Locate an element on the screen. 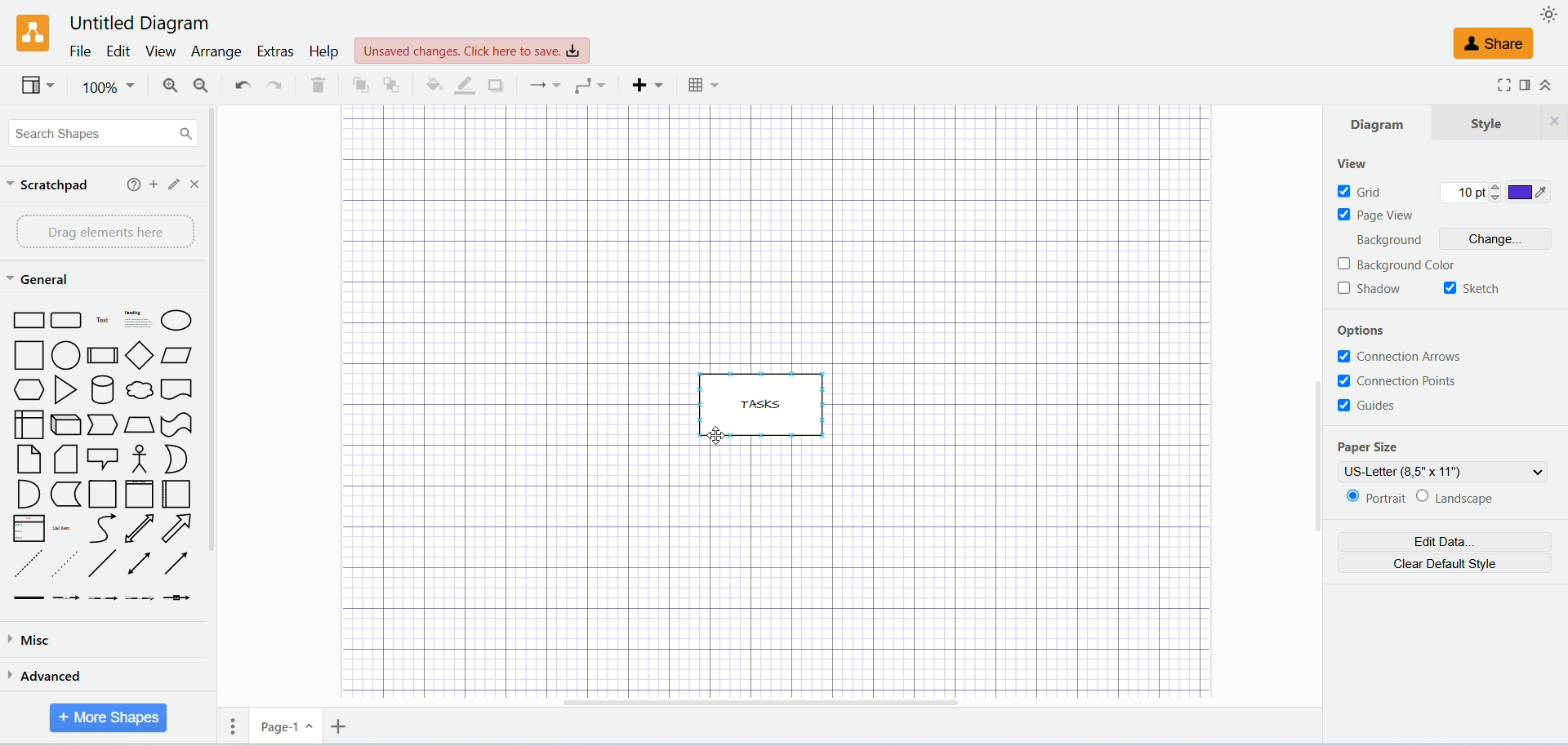 The width and height of the screenshot is (1568, 746). 100% is located at coordinates (106, 87).